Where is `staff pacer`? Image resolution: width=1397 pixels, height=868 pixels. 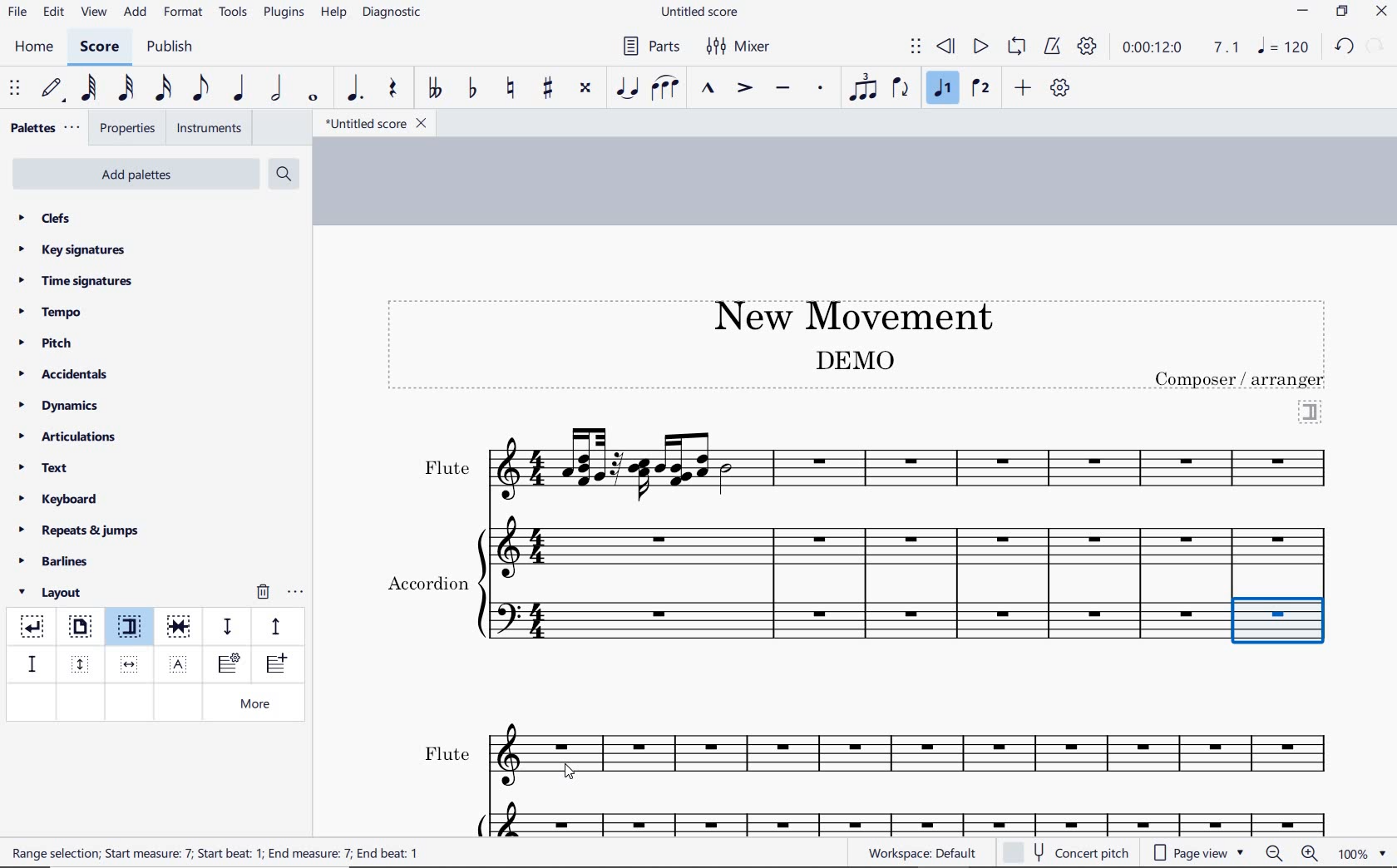
staff pacer is located at coordinates (274, 625).